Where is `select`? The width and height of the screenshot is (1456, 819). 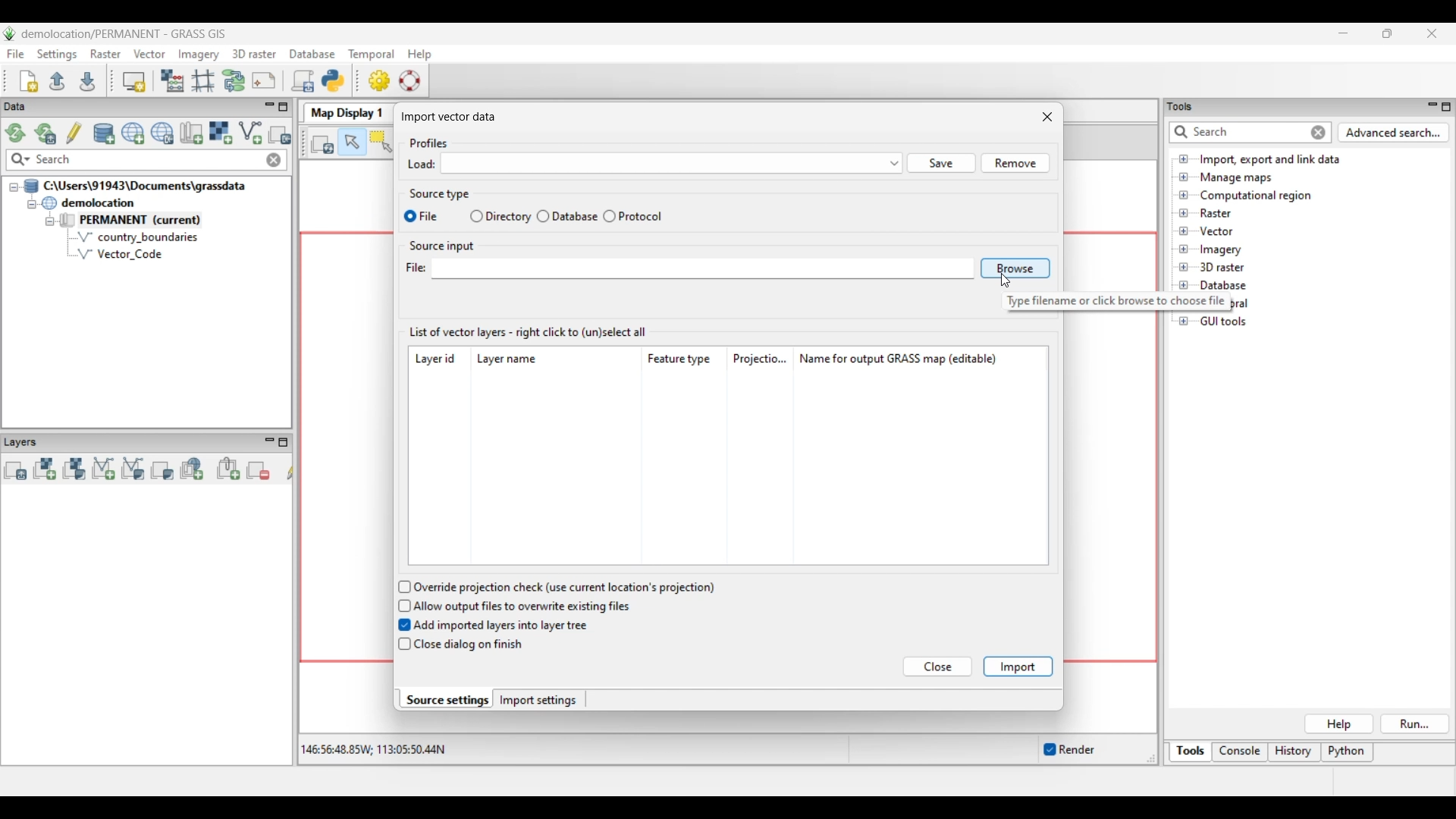 select is located at coordinates (473, 217).